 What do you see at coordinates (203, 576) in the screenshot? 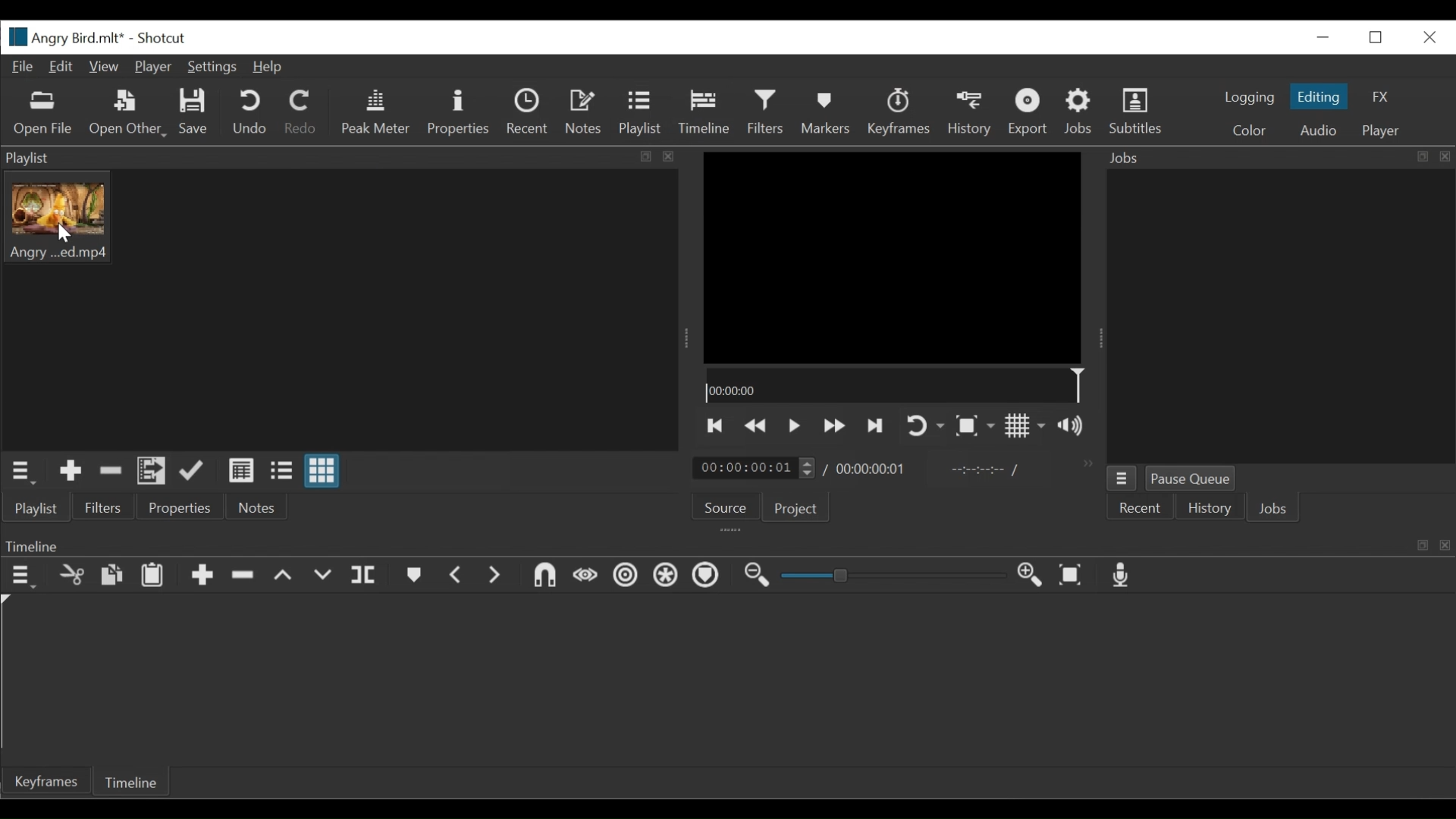
I see `Append` at bounding box center [203, 576].